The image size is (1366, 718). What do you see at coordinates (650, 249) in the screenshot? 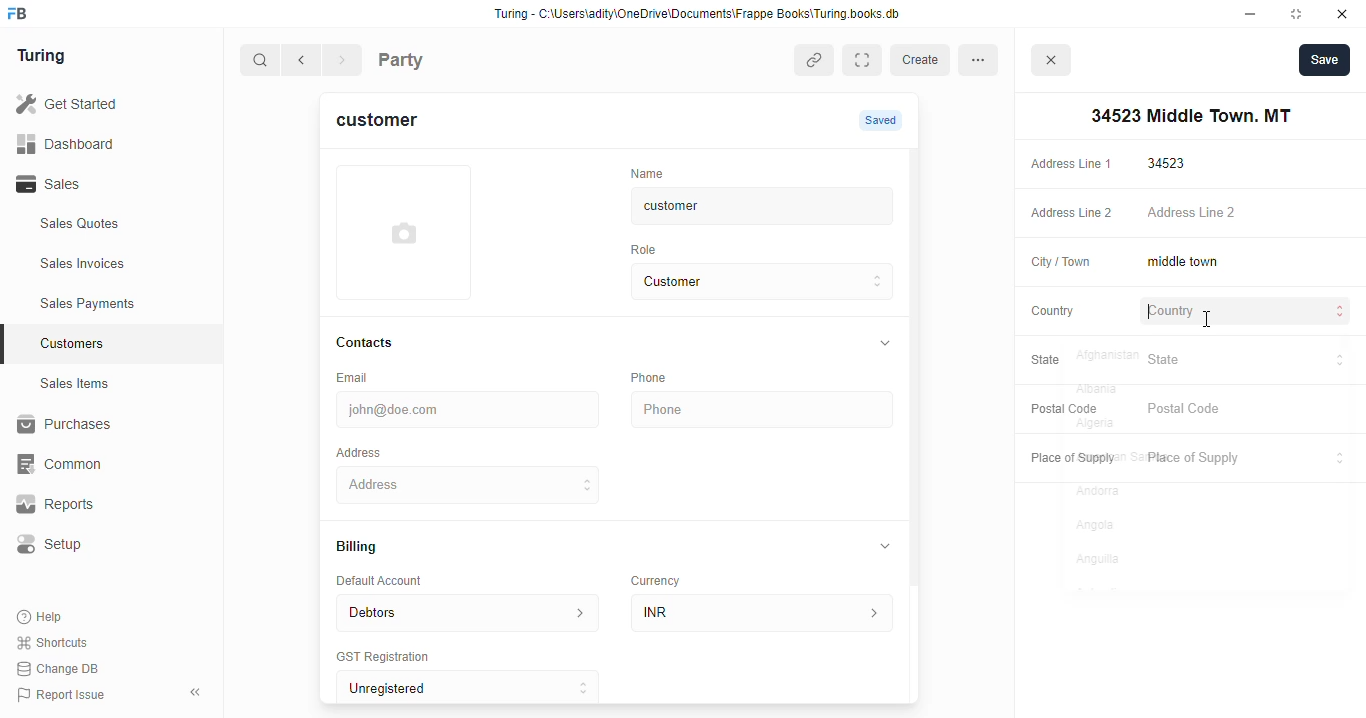
I see `Role` at bounding box center [650, 249].